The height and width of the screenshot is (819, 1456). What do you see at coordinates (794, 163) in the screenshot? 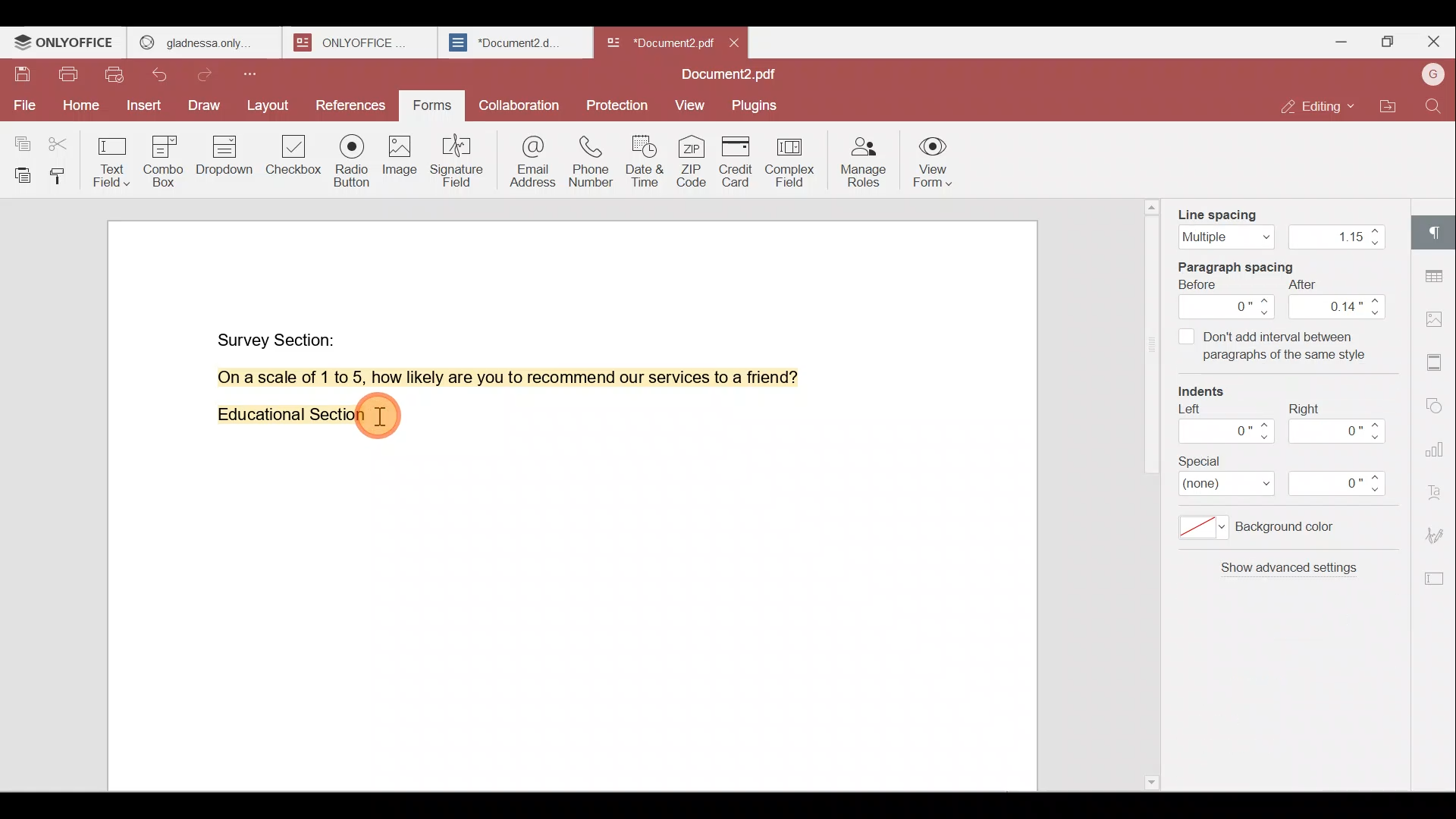
I see `Complex field` at bounding box center [794, 163].